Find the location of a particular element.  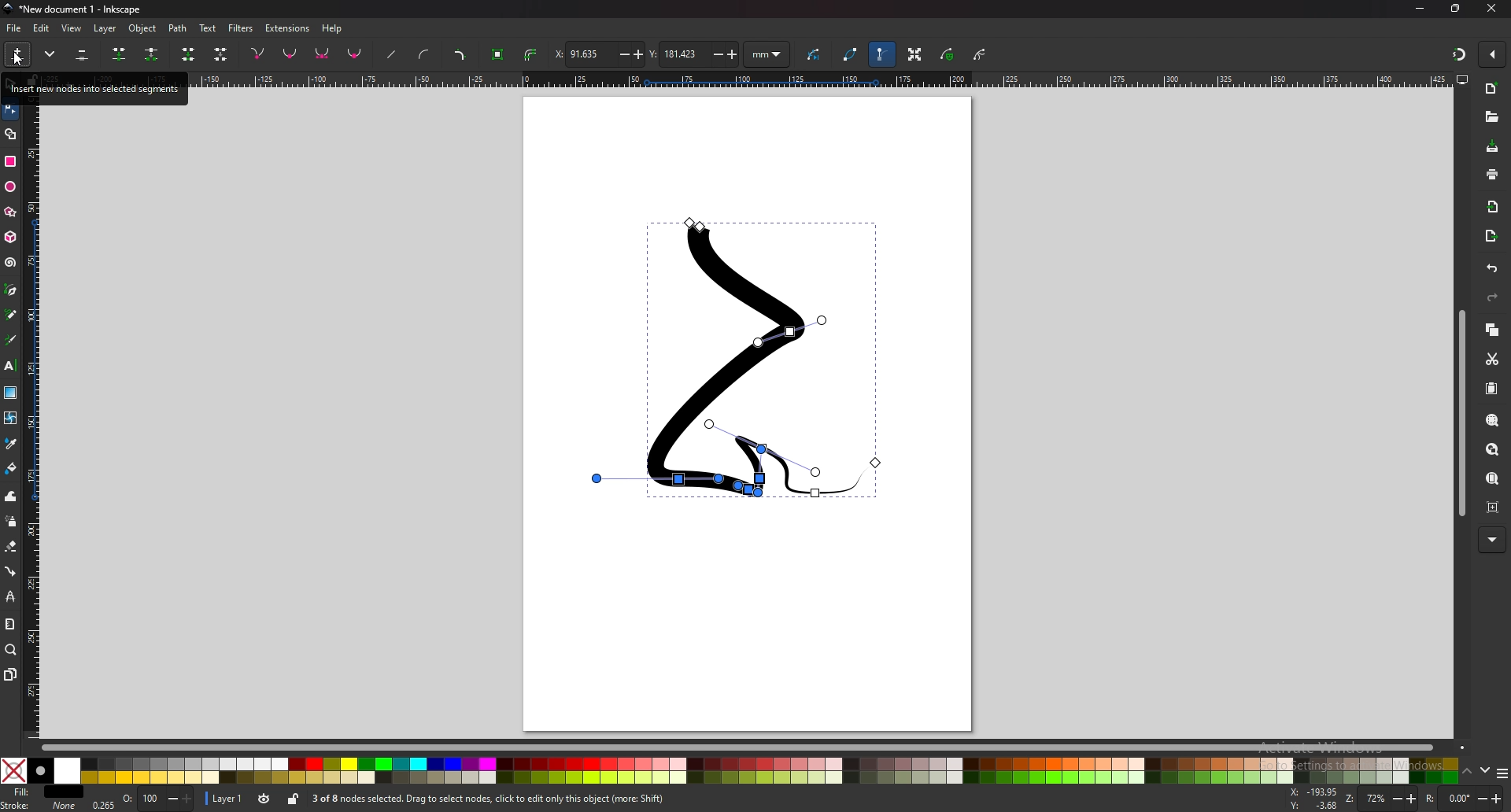

connector is located at coordinates (10, 572).